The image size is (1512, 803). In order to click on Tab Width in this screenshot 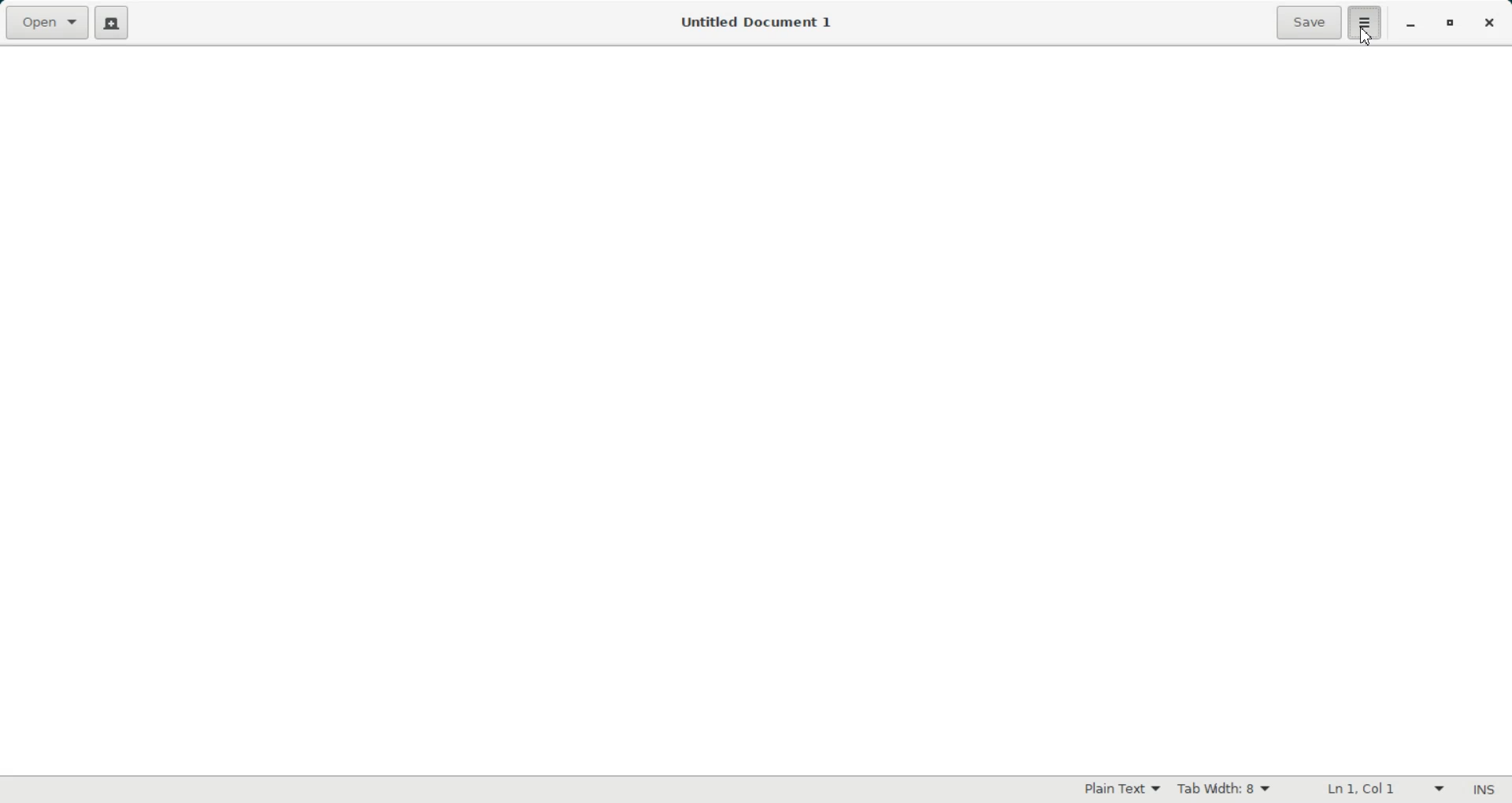, I will do `click(1224, 790)`.